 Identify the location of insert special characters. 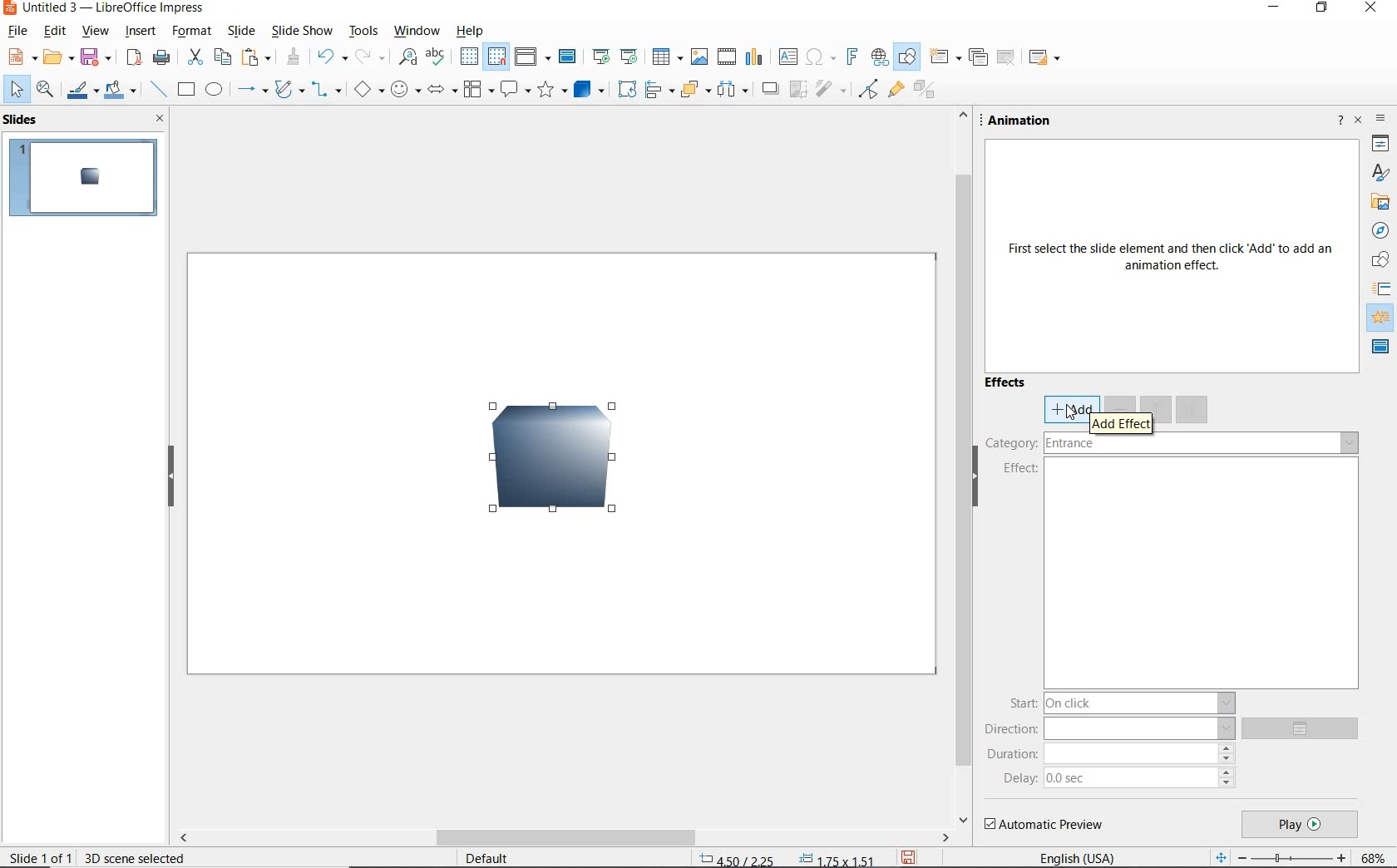
(818, 57).